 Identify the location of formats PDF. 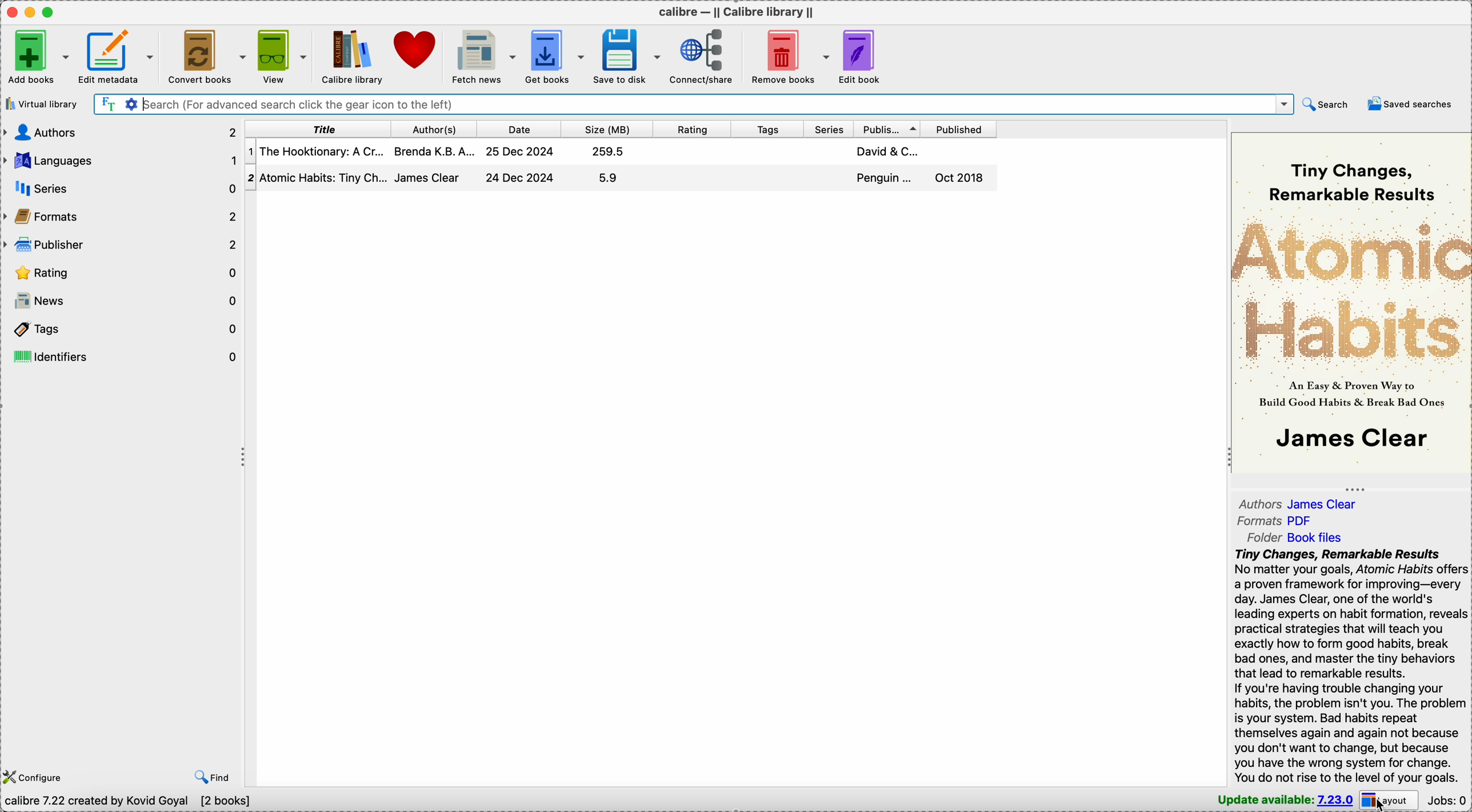
(1277, 519).